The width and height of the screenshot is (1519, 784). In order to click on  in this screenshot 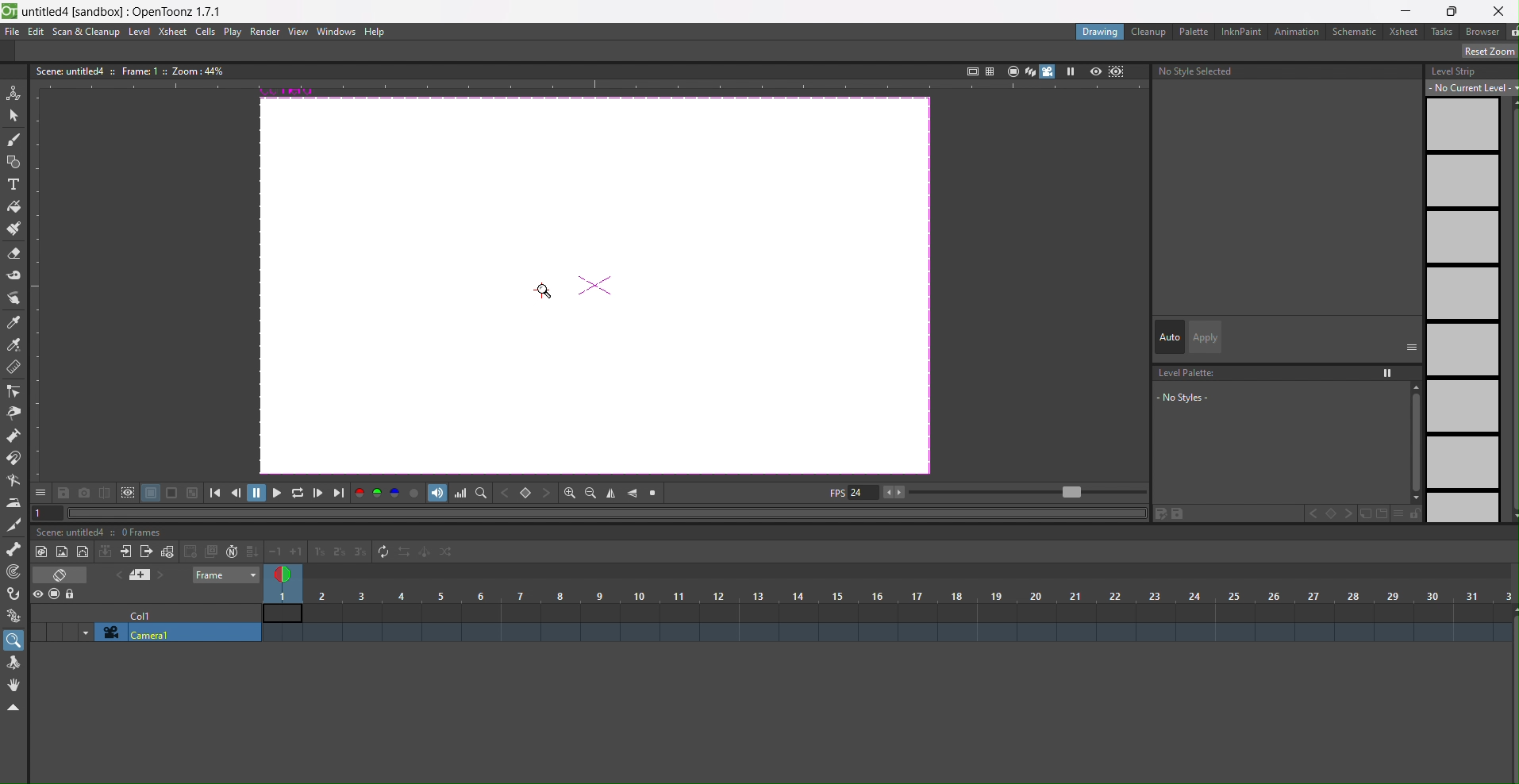, I will do `click(483, 492)`.